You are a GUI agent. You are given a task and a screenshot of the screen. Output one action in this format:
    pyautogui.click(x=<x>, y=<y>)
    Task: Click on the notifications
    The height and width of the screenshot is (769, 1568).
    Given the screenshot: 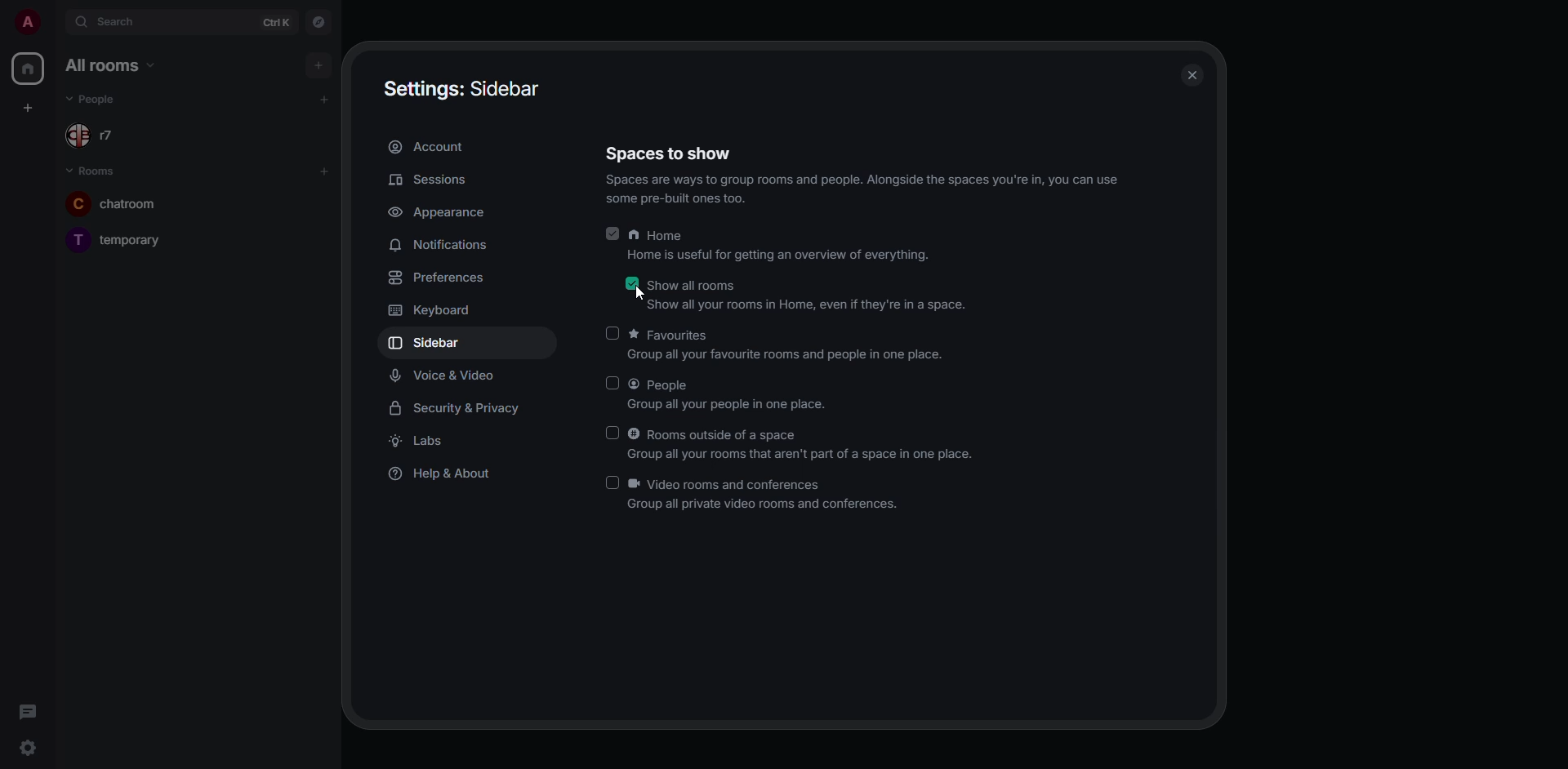 What is the action you would take?
    pyautogui.click(x=441, y=244)
    